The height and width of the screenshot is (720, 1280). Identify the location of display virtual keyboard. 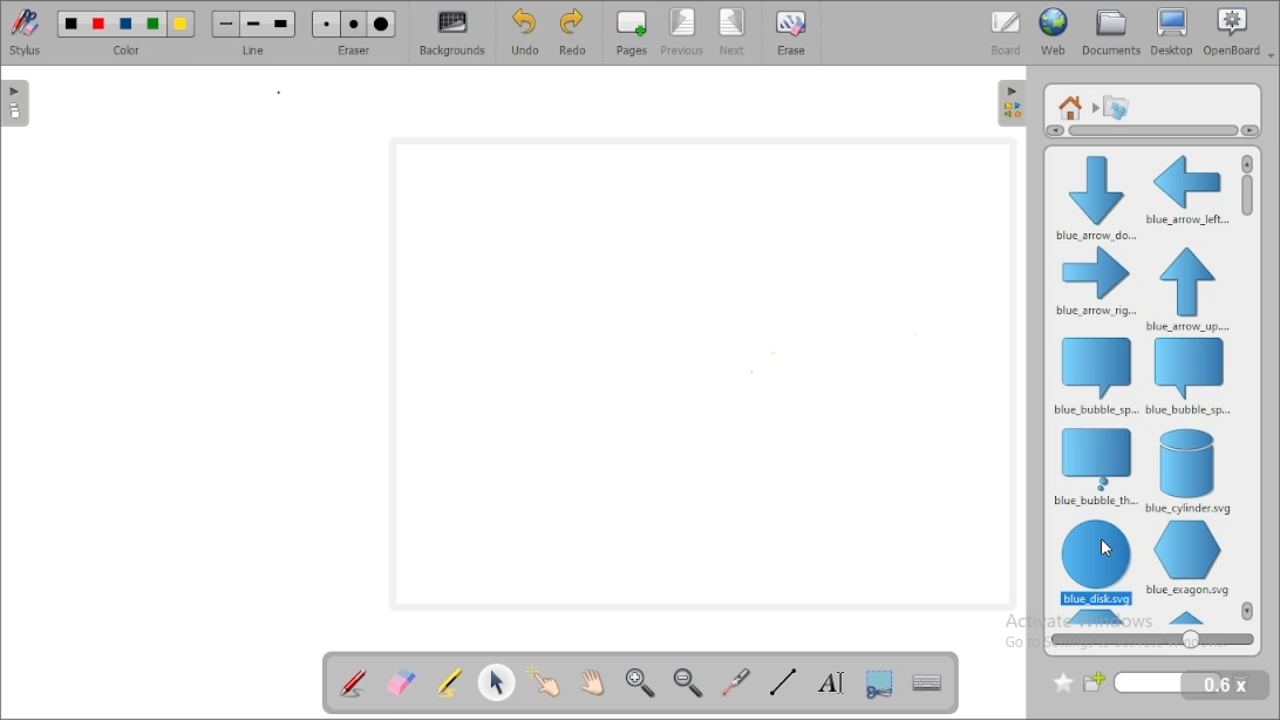
(928, 681).